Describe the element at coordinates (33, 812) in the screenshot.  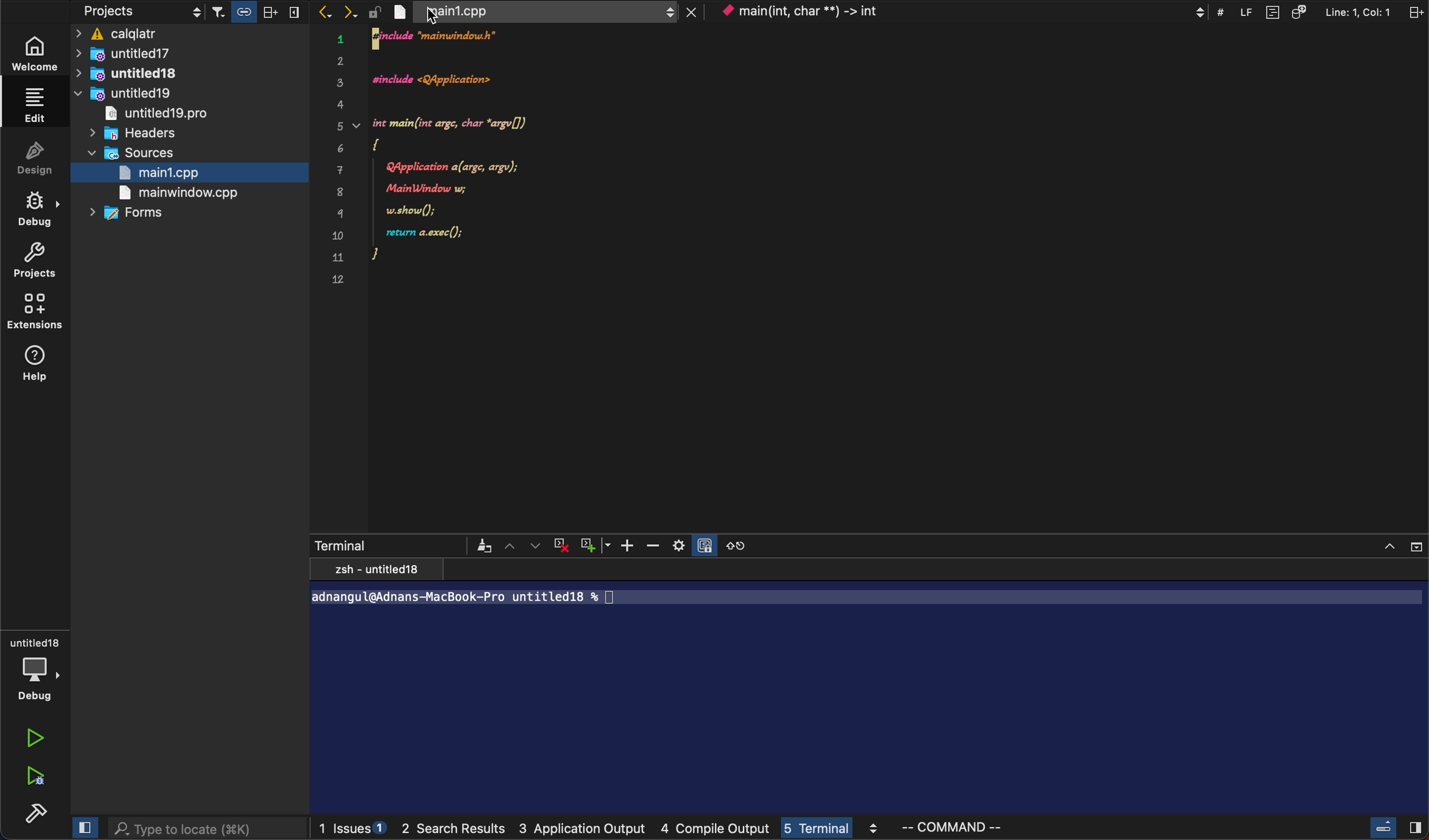
I see `build` at that location.